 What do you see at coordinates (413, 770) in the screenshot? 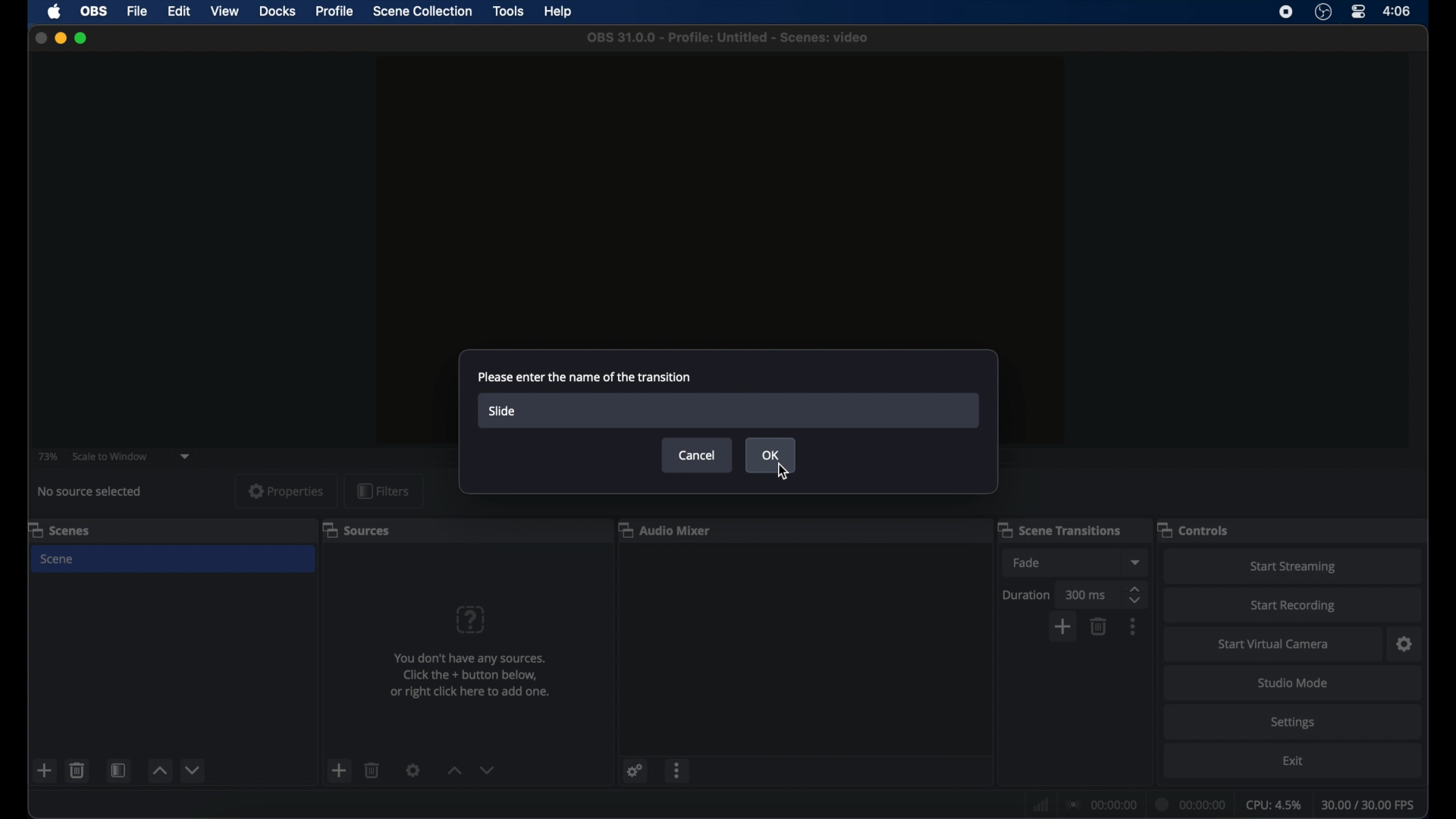
I see `settings` at bounding box center [413, 770].